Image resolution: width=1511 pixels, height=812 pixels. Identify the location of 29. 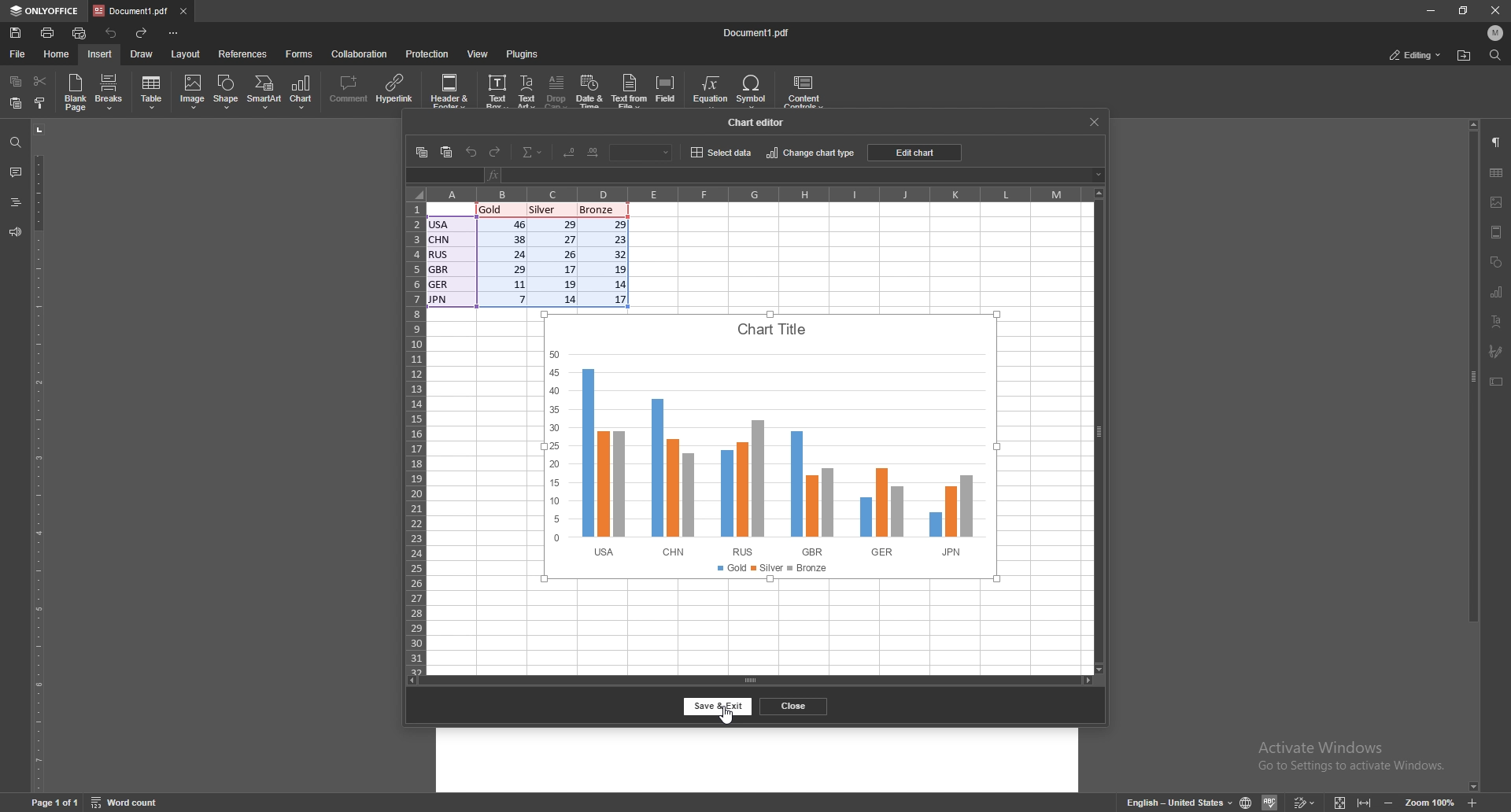
(614, 224).